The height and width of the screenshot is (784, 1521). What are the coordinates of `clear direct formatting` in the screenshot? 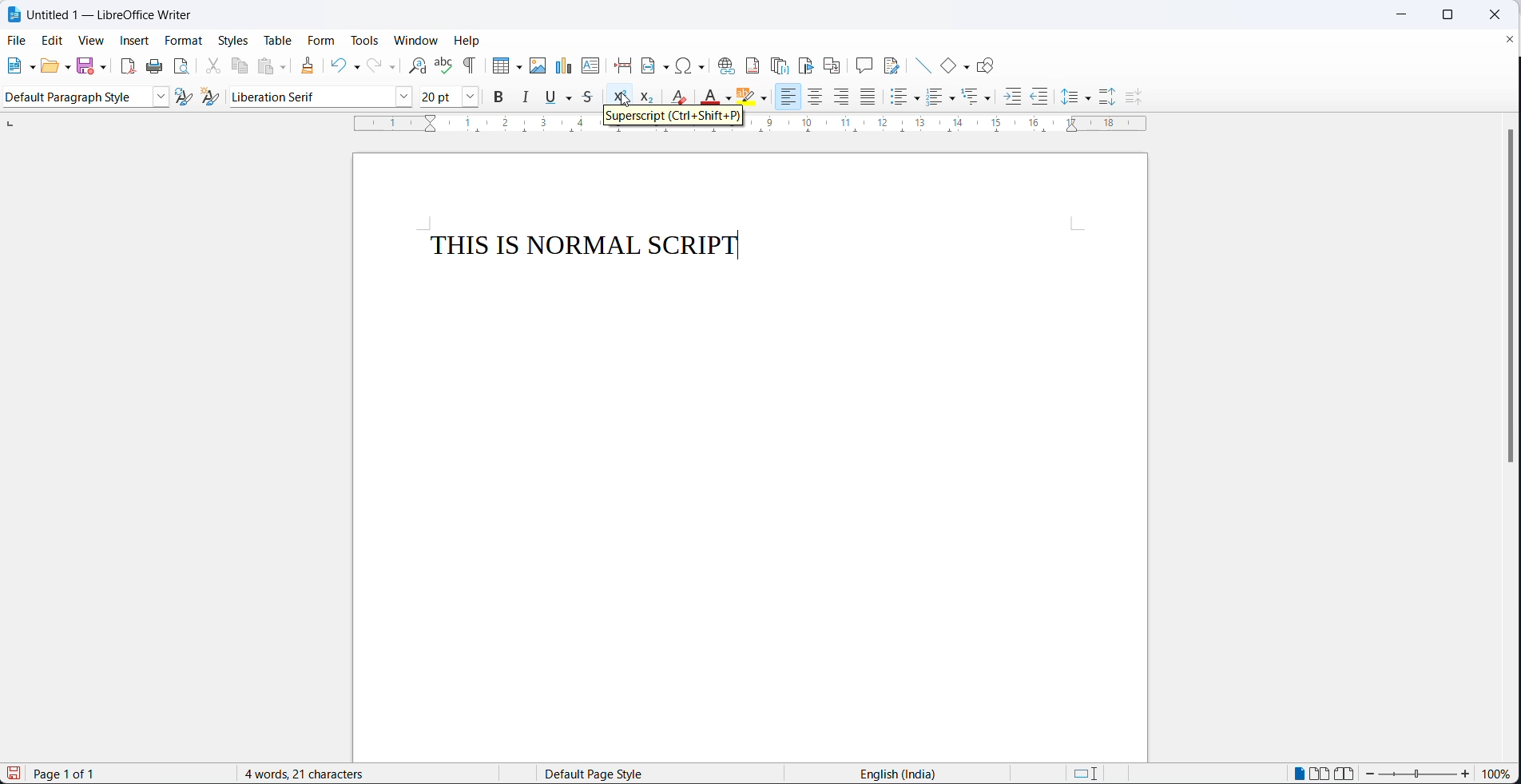 It's located at (709, 98).